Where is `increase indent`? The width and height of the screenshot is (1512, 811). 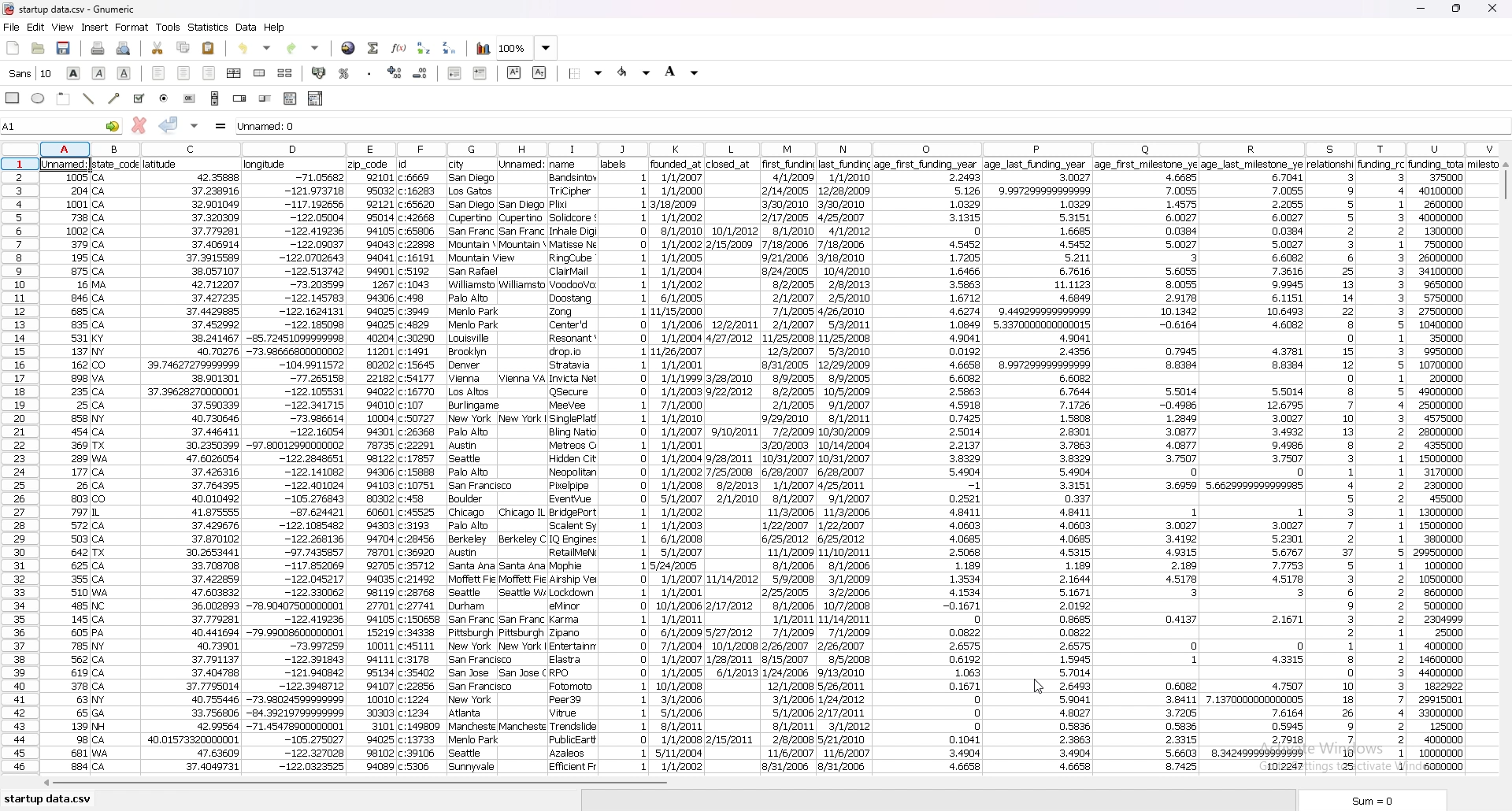
increase indent is located at coordinates (480, 72).